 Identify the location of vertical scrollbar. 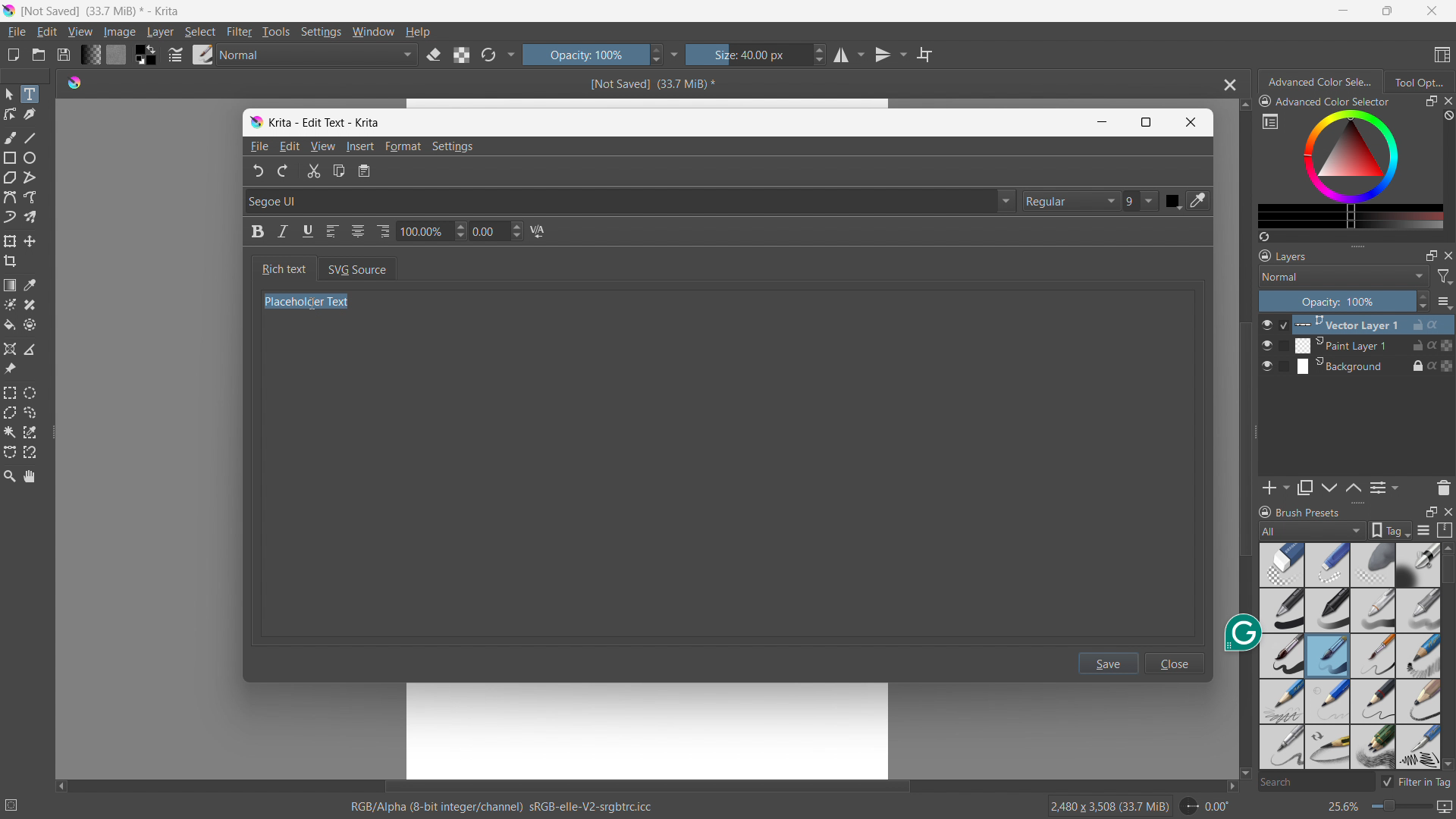
(1241, 439).